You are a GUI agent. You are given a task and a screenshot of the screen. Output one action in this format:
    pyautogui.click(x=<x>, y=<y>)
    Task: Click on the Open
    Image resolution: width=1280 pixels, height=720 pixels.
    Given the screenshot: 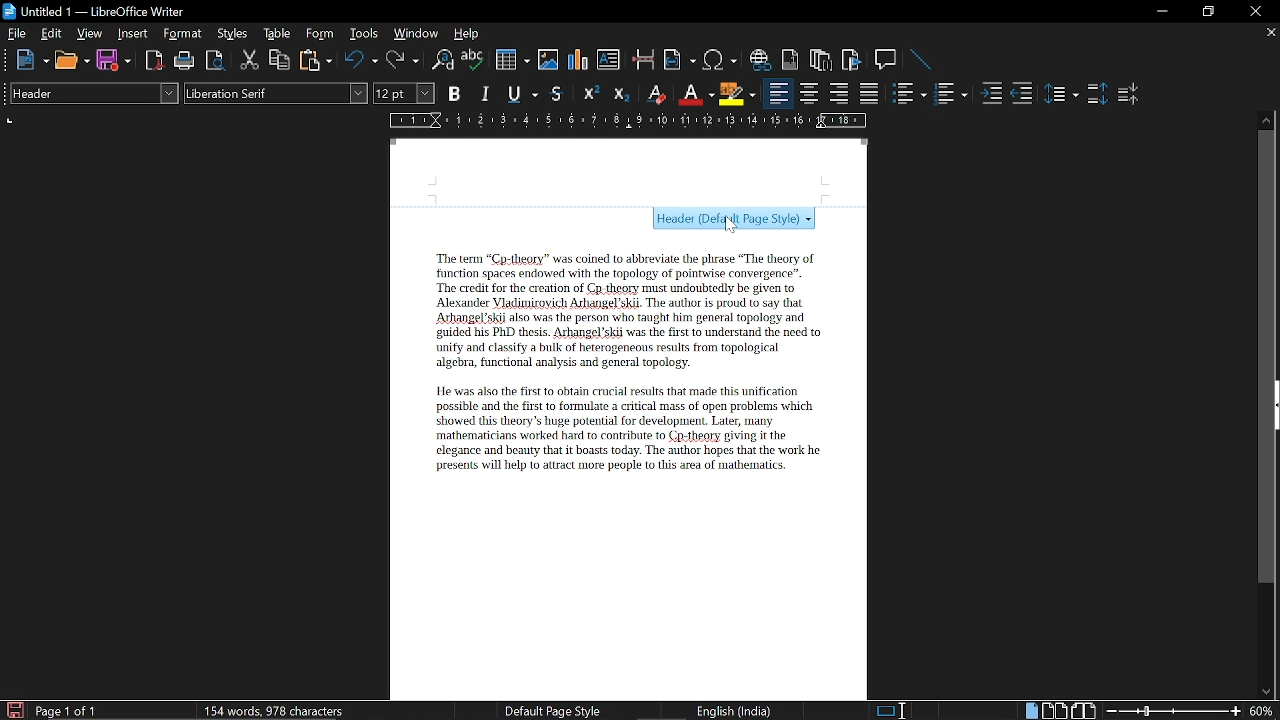 What is the action you would take?
    pyautogui.click(x=72, y=61)
    